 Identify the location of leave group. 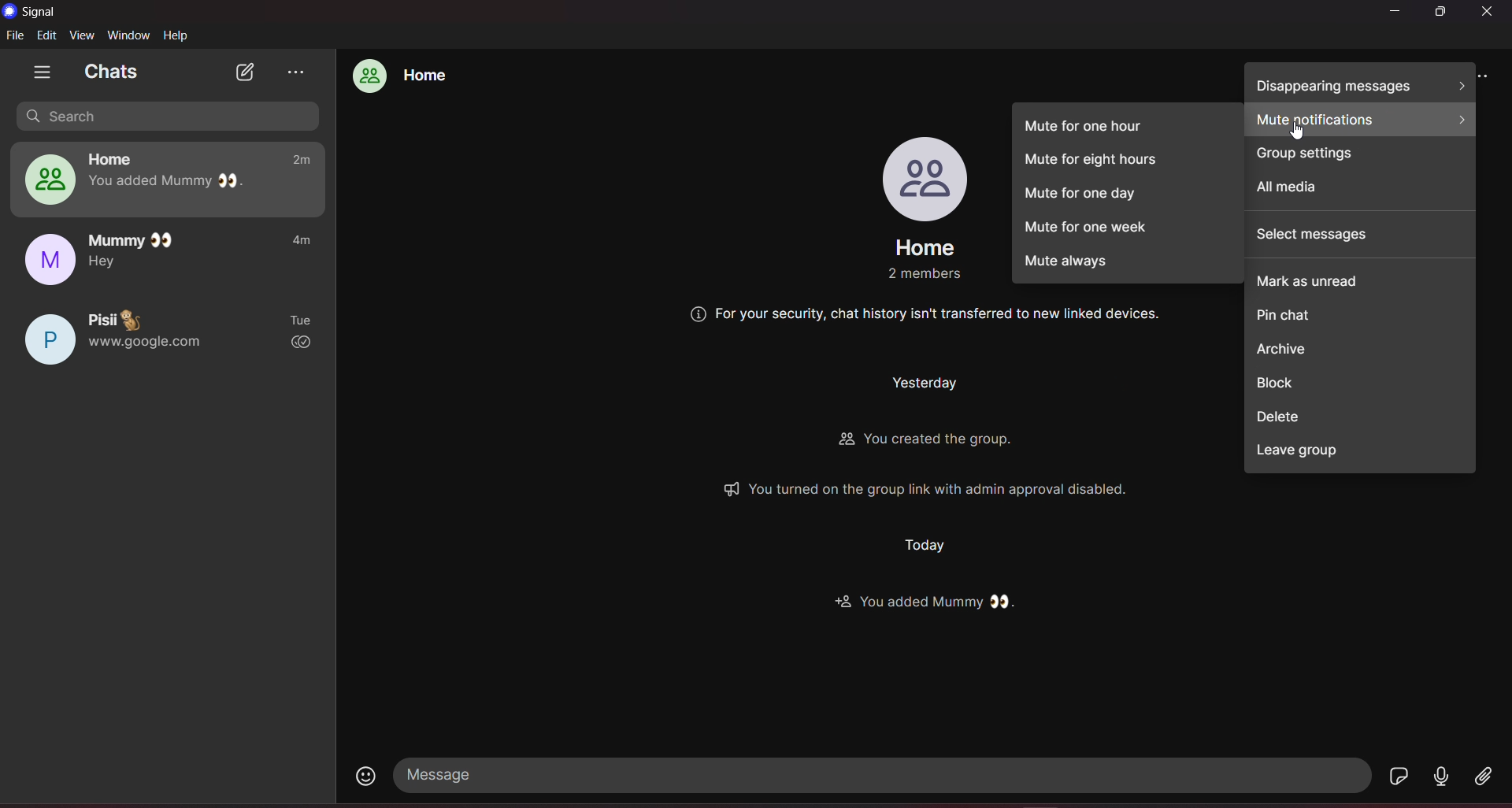
(1359, 459).